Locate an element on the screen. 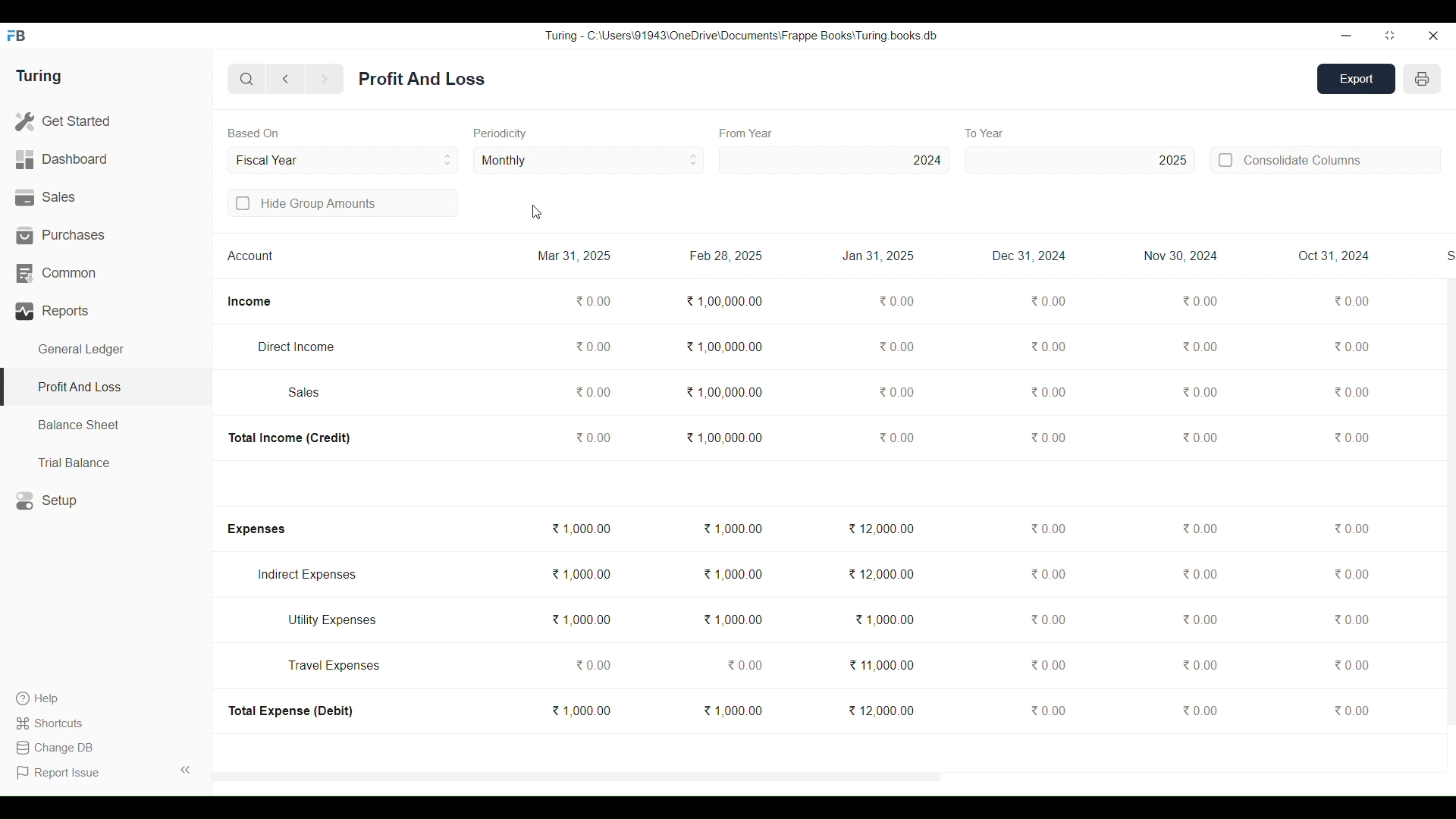  1,00,000.00 is located at coordinates (724, 391).